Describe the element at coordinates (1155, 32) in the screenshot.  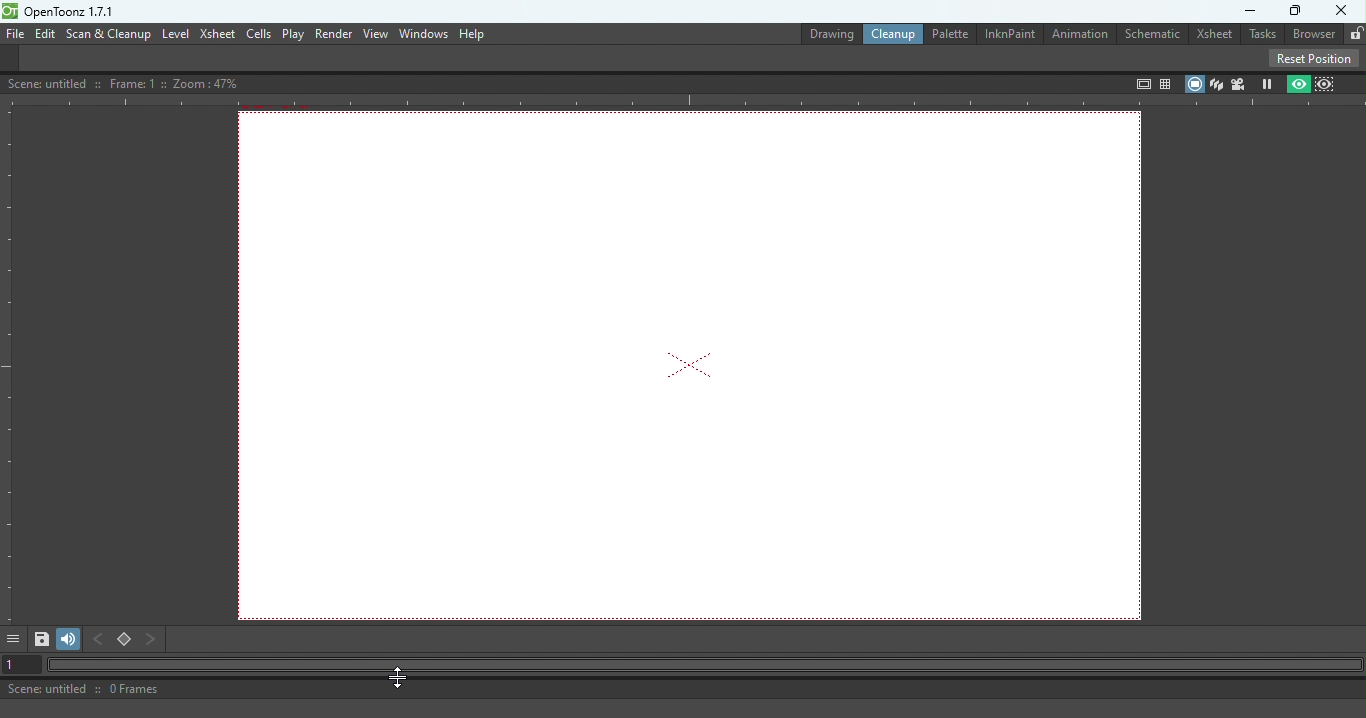
I see `Schematic` at that location.